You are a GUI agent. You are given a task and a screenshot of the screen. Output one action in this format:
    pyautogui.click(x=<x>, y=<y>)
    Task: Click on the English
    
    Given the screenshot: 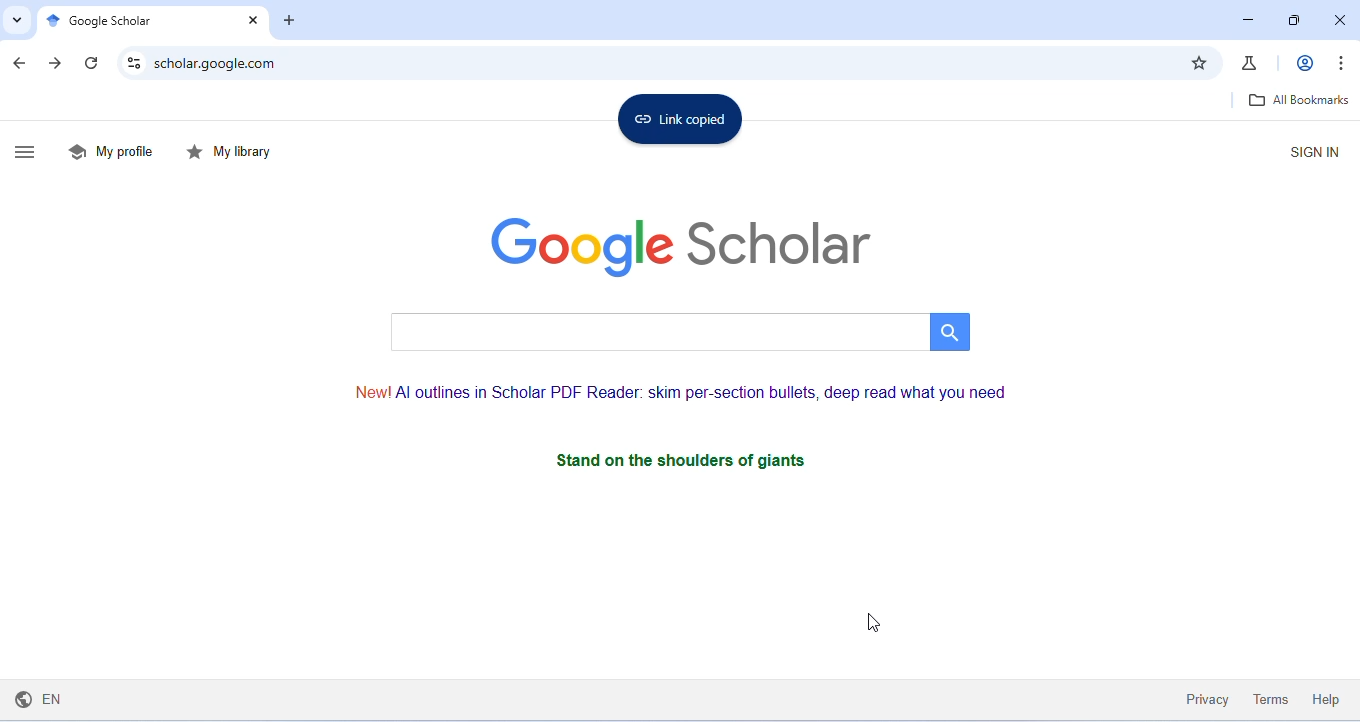 What is the action you would take?
    pyautogui.click(x=40, y=697)
    